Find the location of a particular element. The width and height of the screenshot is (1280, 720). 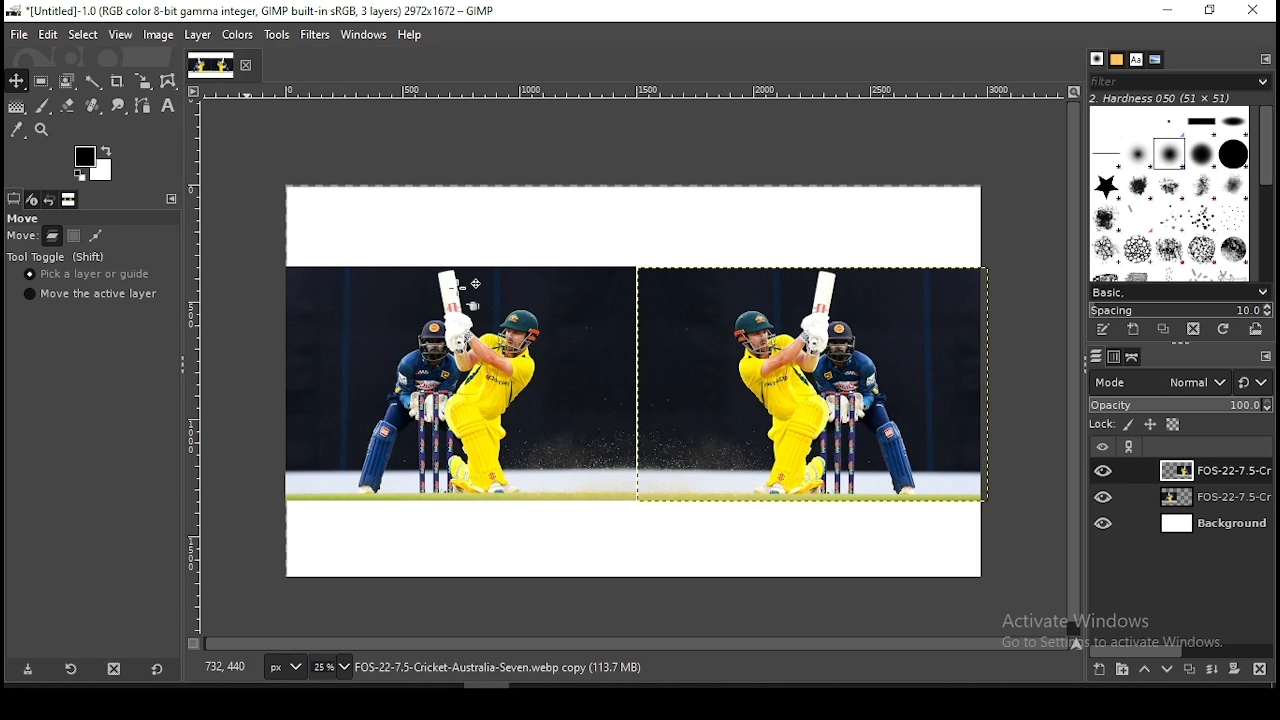

layer  is located at coordinates (1212, 499).